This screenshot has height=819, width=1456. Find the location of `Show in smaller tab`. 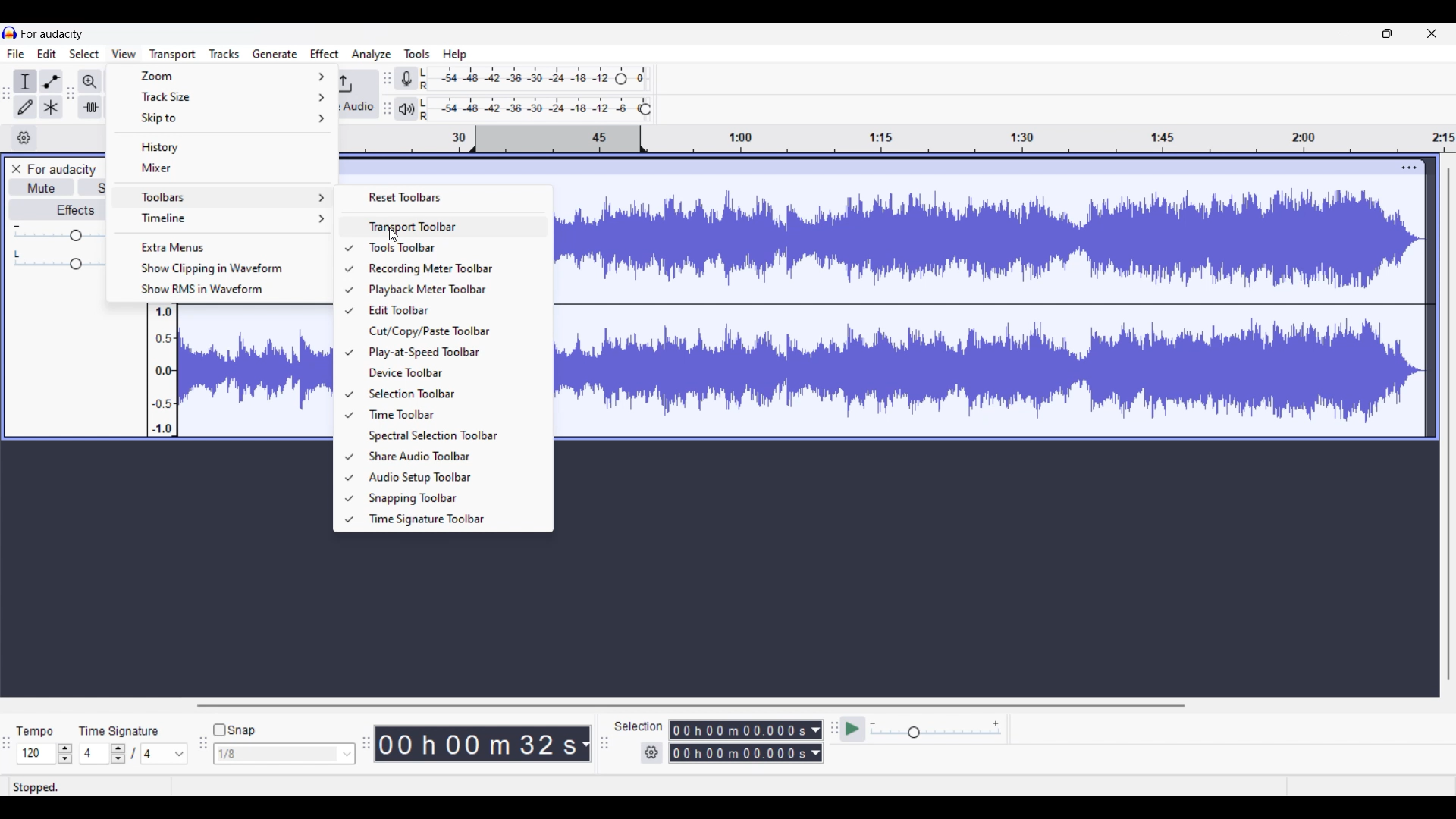

Show in smaller tab is located at coordinates (1387, 33).